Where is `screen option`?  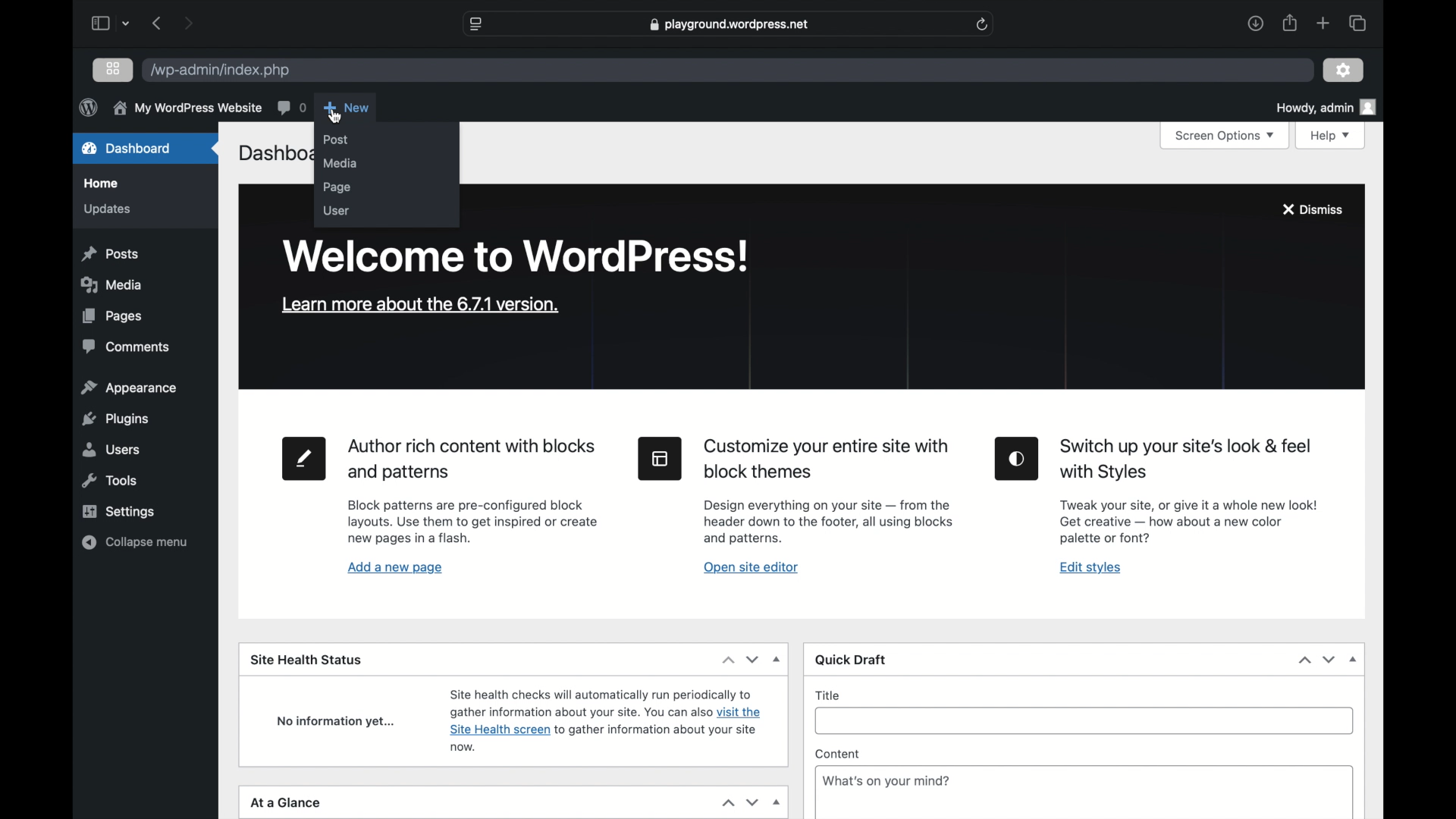 screen option is located at coordinates (1225, 136).